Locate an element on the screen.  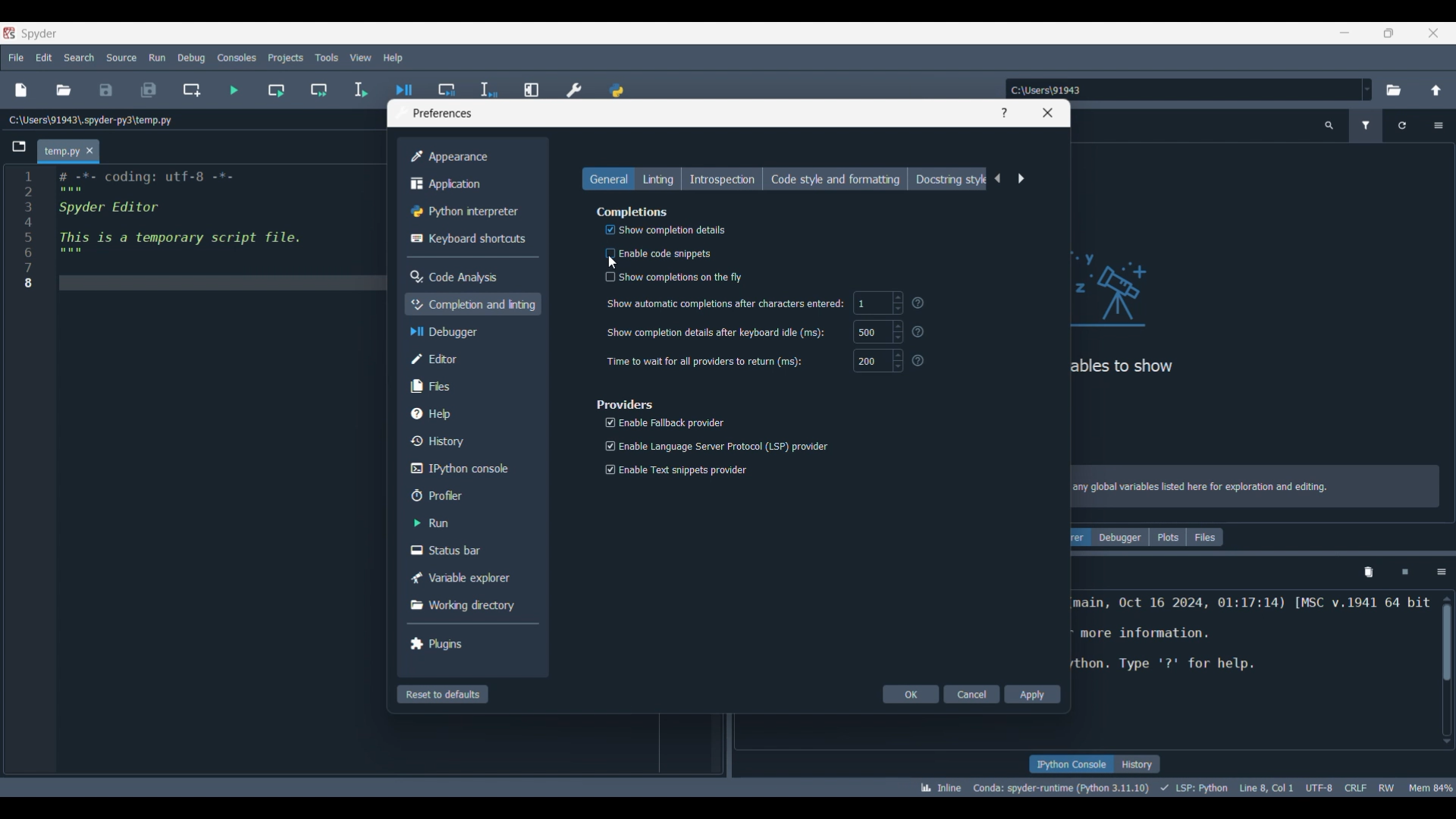
Source menu is located at coordinates (122, 58).